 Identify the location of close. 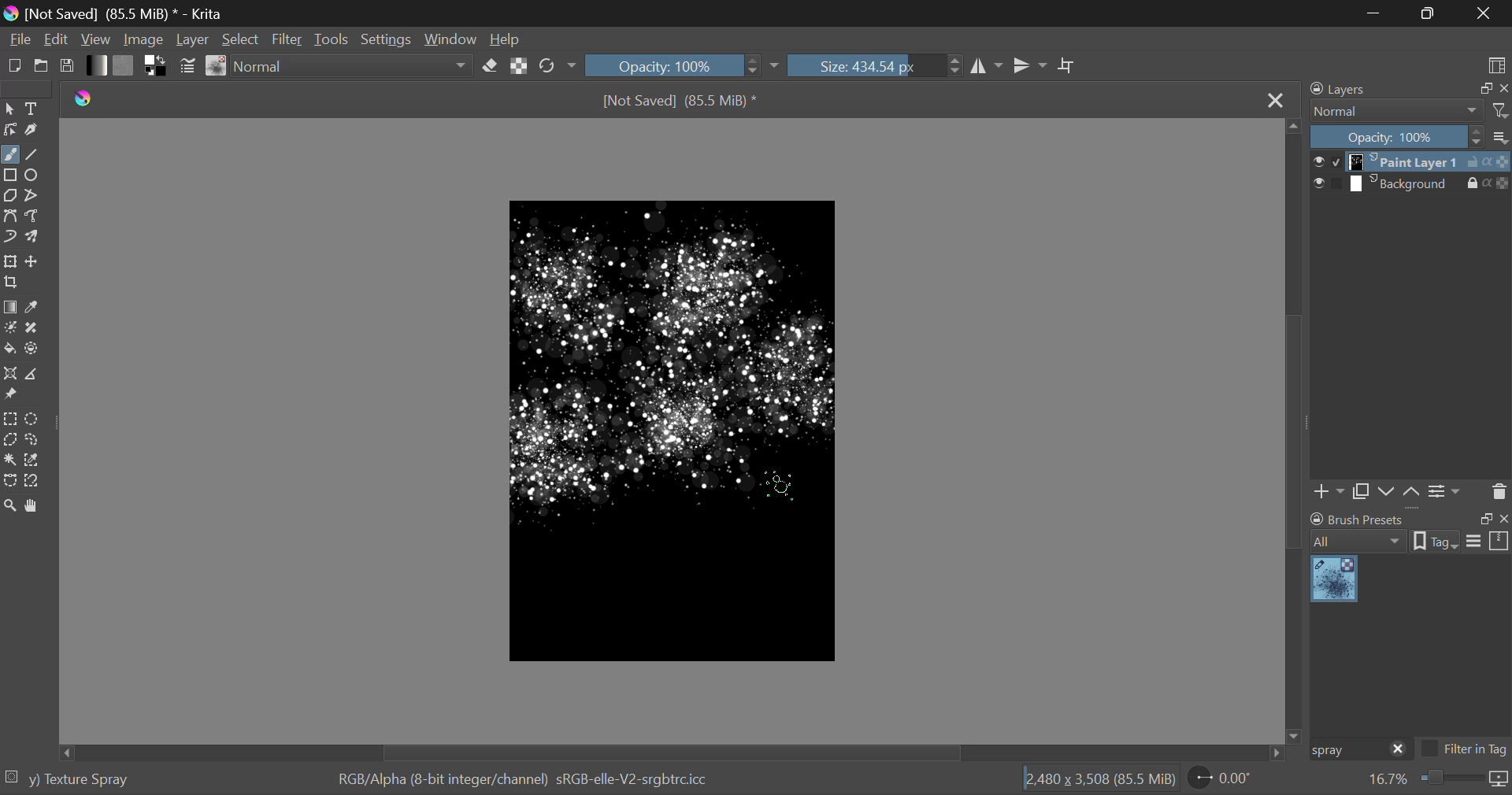
(1503, 519).